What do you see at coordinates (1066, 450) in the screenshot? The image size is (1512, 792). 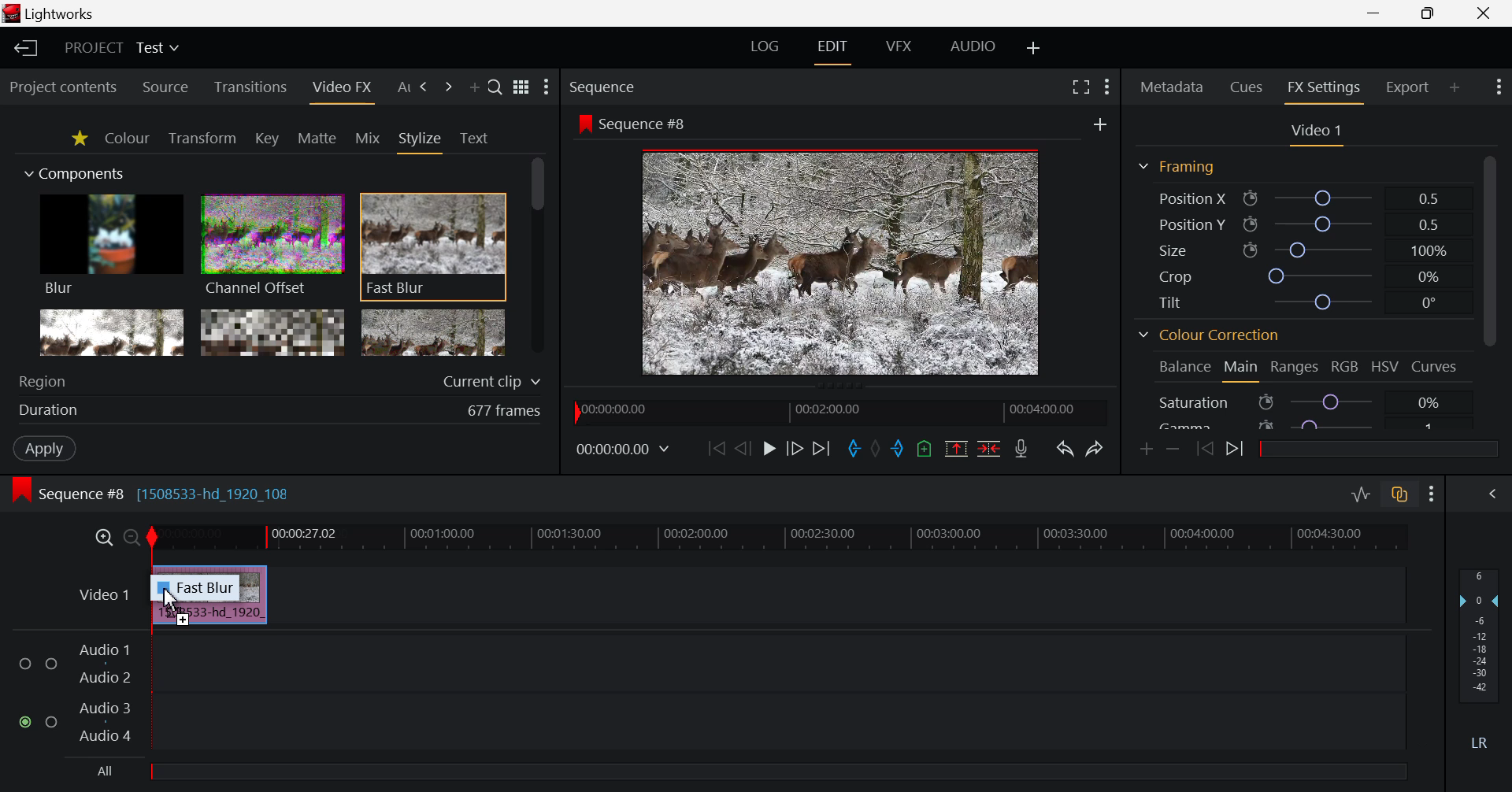 I see `Undo` at bounding box center [1066, 450].